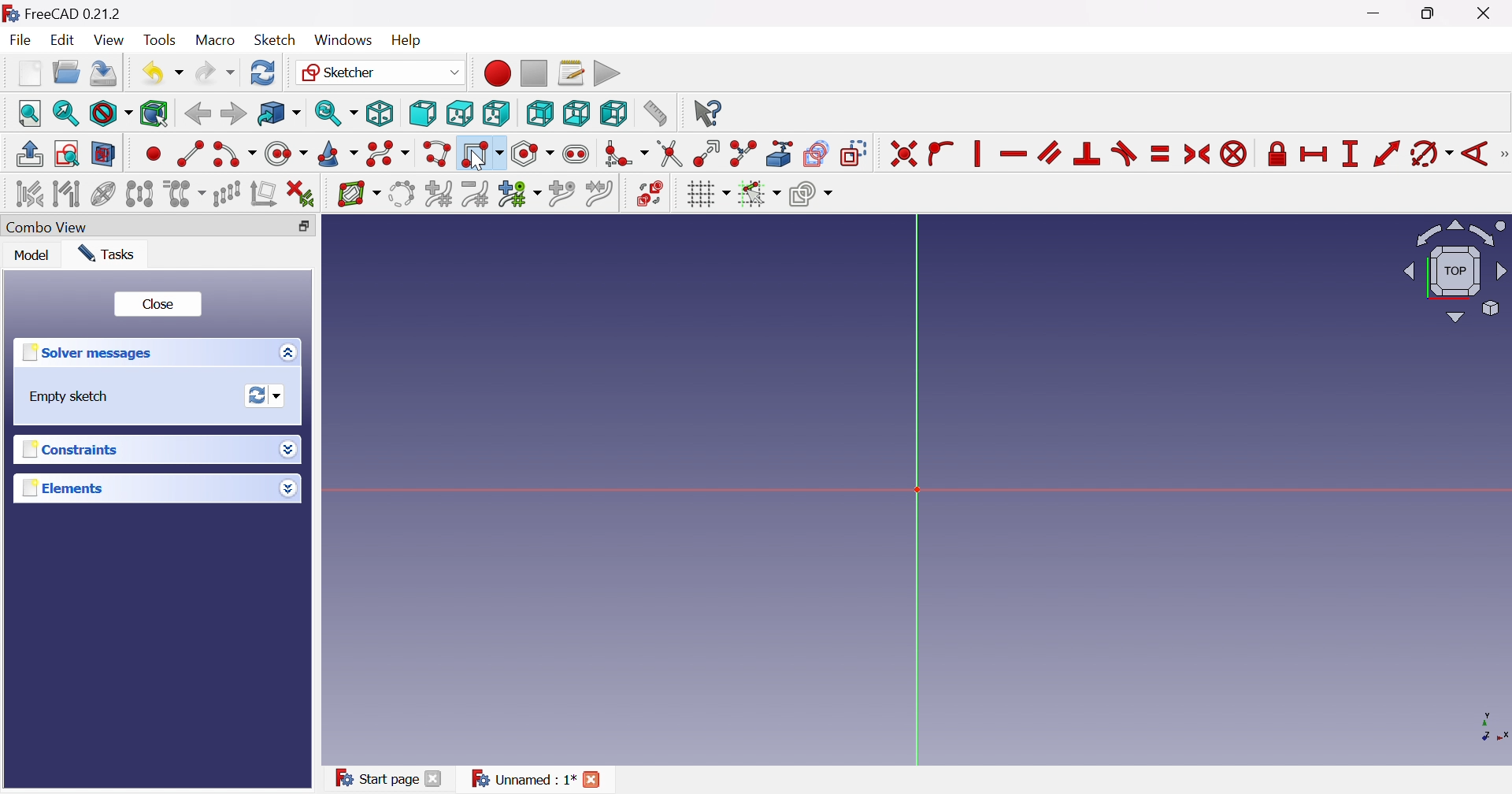 This screenshot has width=1512, height=794. Describe the element at coordinates (109, 113) in the screenshot. I see `Fit style` at that location.